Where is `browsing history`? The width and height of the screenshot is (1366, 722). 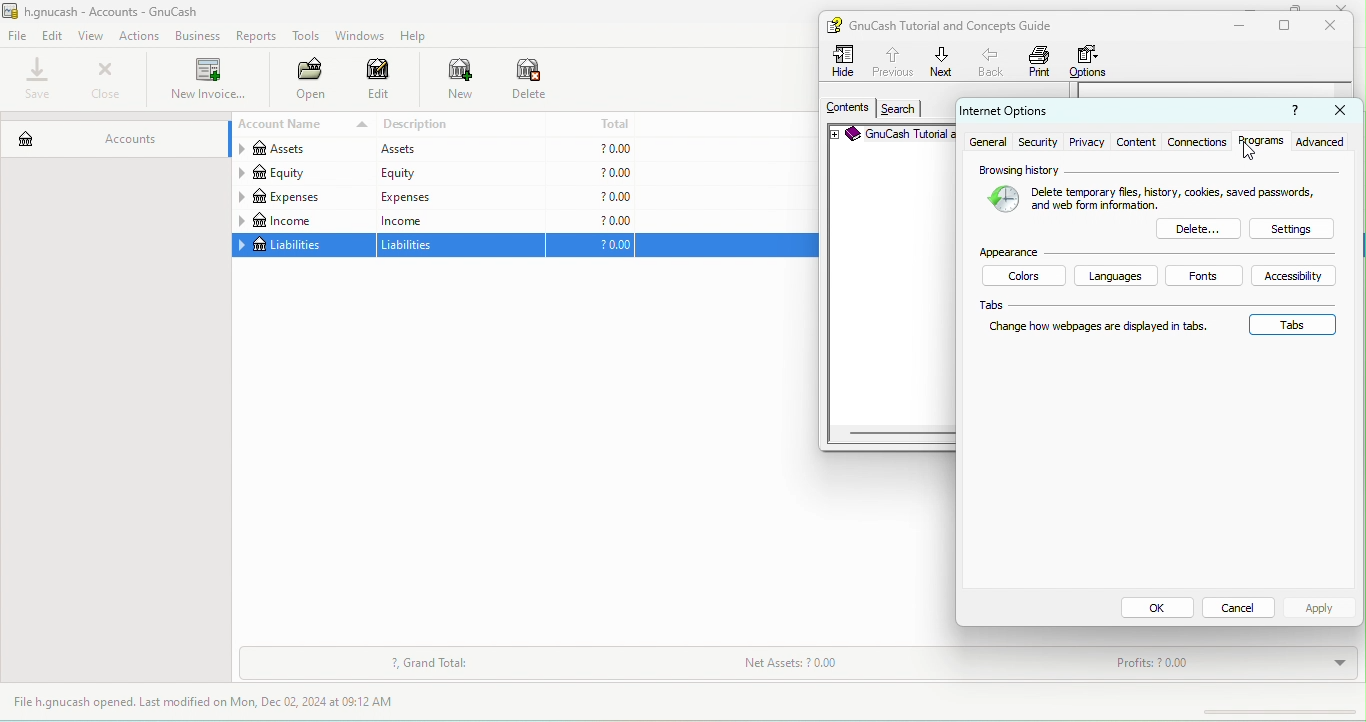
browsing history is located at coordinates (1167, 168).